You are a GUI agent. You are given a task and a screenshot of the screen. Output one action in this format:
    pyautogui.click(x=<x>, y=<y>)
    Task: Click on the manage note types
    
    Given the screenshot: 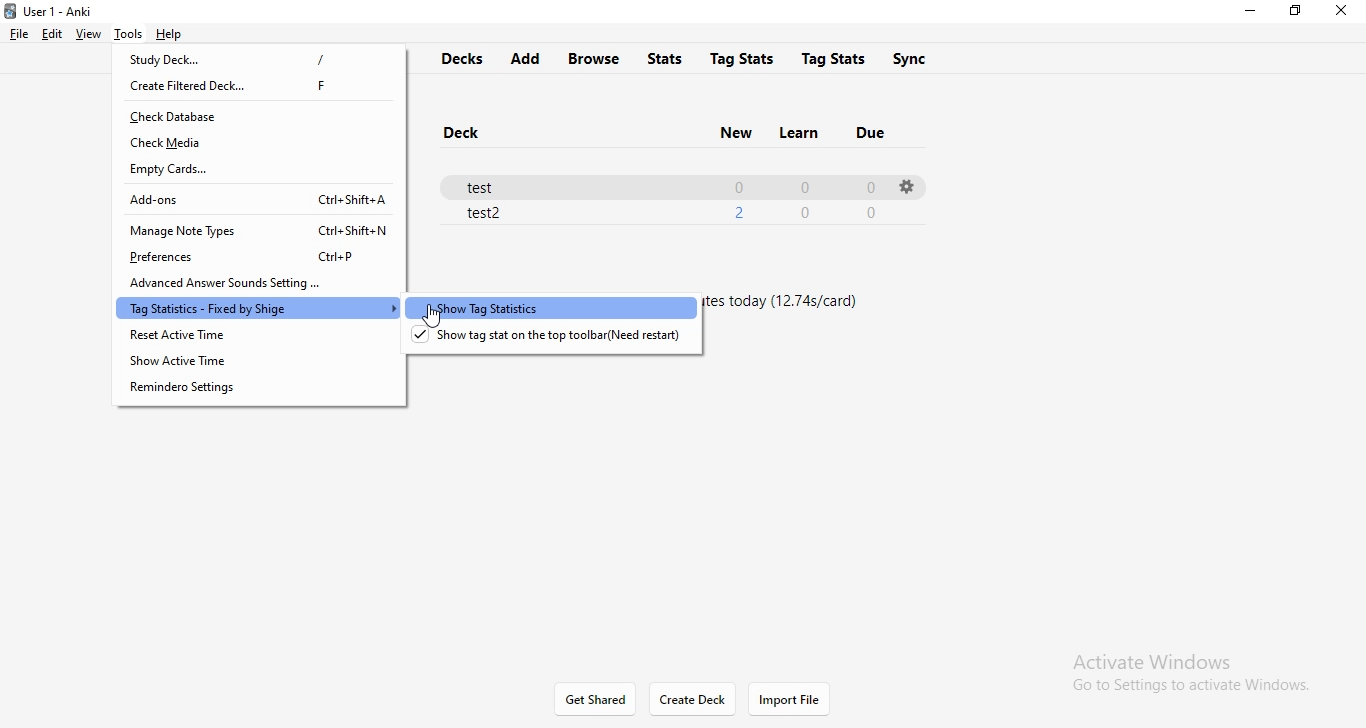 What is the action you would take?
    pyautogui.click(x=257, y=228)
    